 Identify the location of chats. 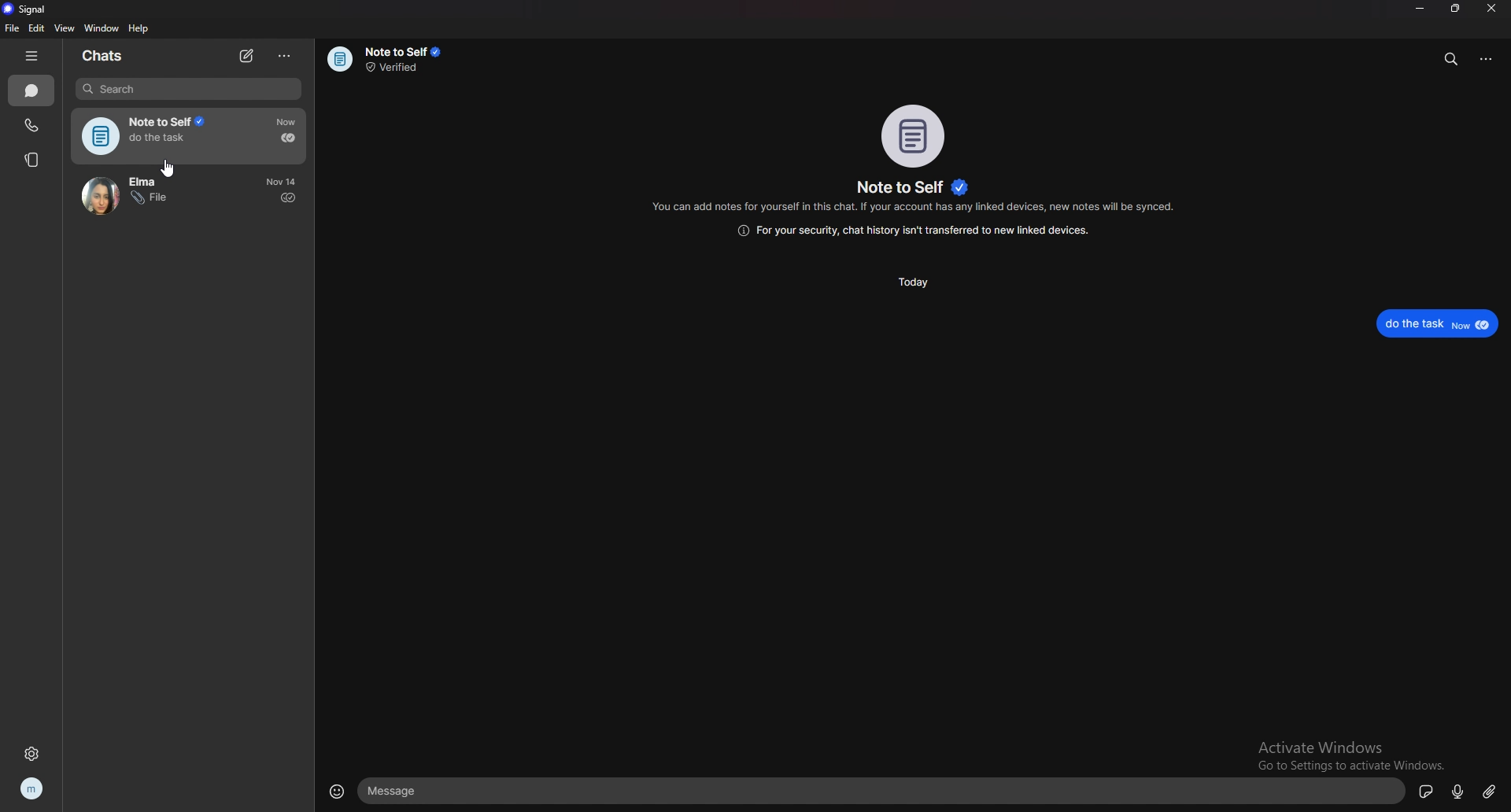
(103, 57).